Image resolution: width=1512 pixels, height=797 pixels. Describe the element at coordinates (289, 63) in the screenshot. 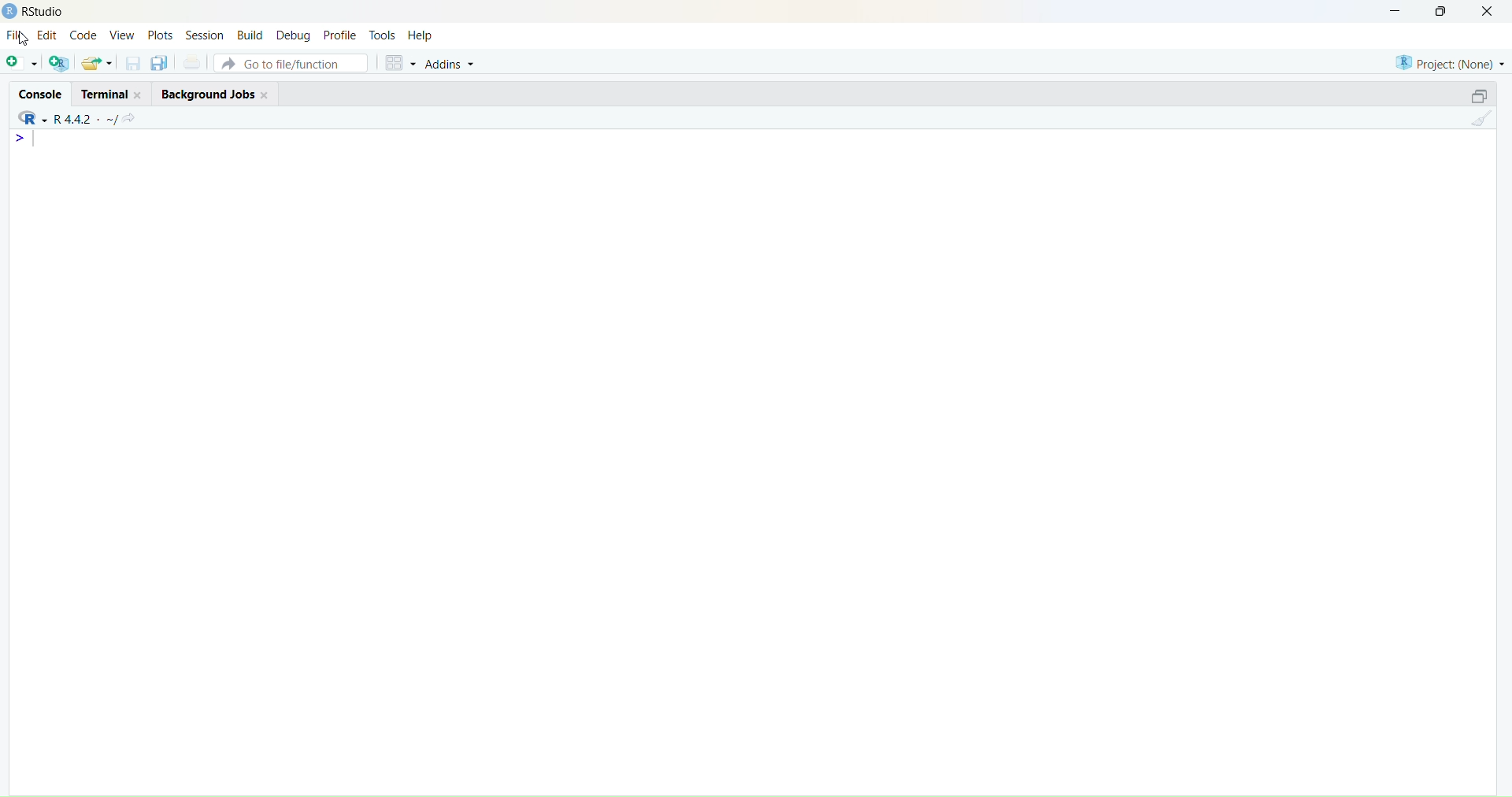

I see `Go to file/function` at that location.